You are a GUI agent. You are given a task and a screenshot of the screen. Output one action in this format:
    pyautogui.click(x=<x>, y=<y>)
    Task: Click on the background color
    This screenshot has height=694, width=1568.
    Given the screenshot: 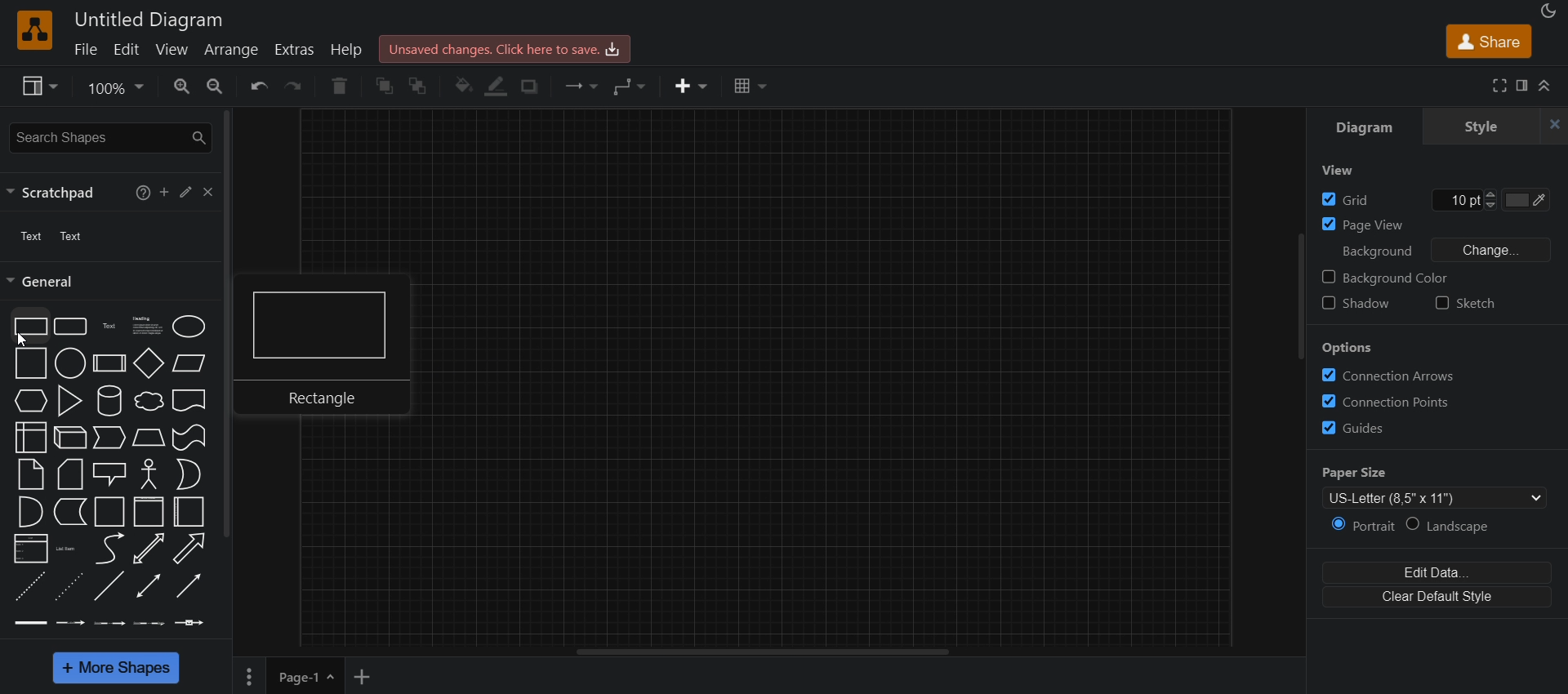 What is the action you would take?
    pyautogui.click(x=1391, y=277)
    